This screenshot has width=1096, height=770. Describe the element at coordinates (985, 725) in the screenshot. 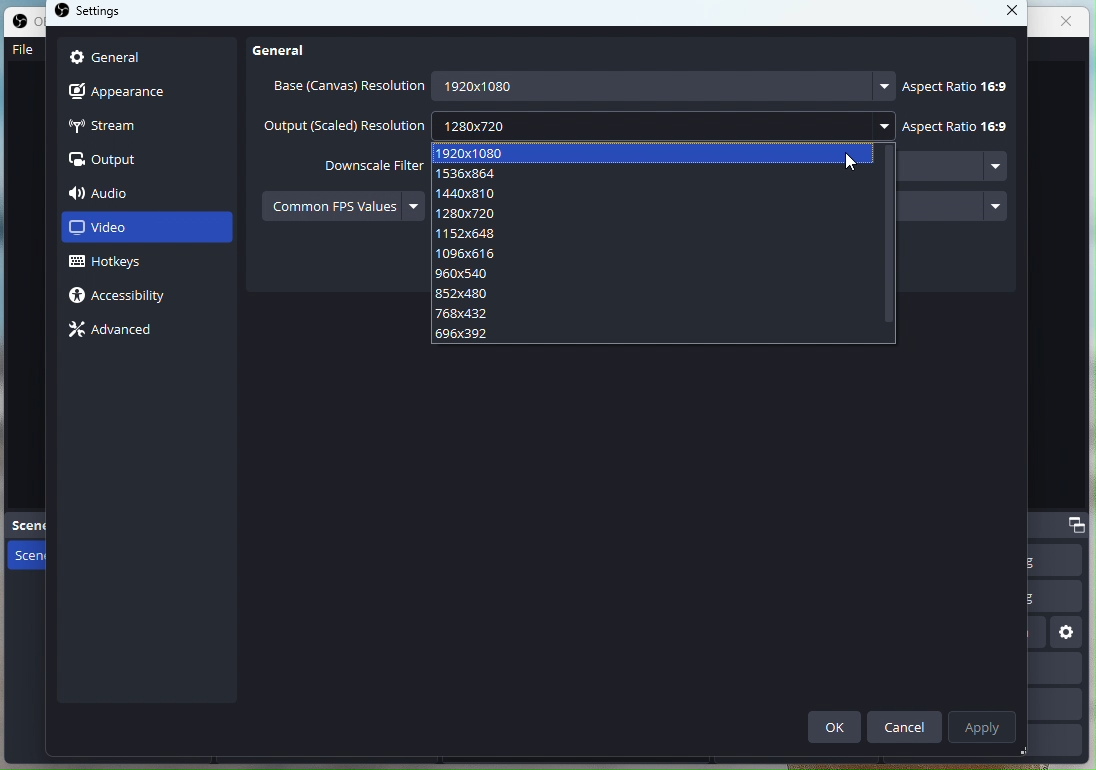

I see `Apply` at that location.